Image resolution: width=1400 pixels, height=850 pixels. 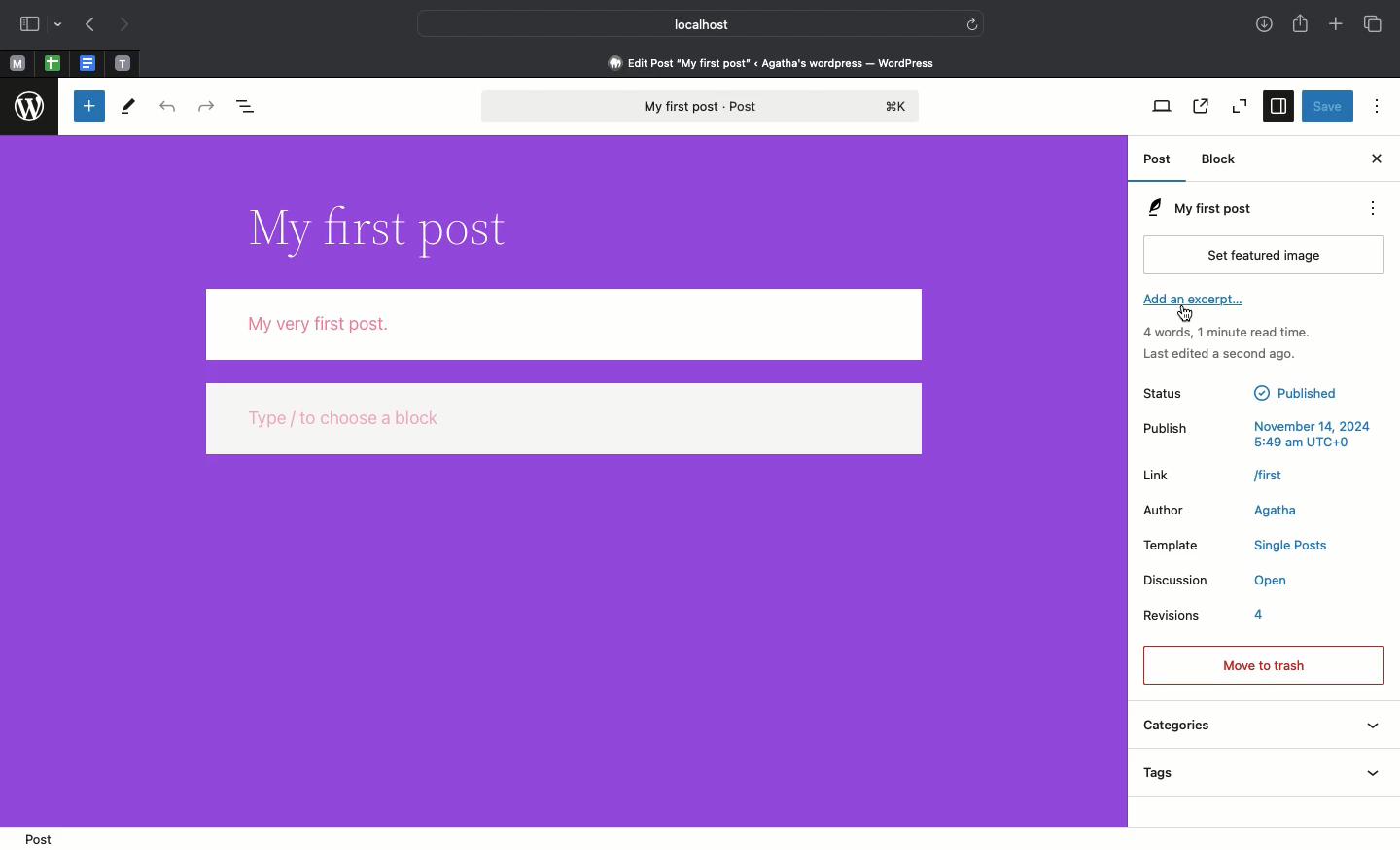 I want to click on Author, so click(x=1230, y=510).